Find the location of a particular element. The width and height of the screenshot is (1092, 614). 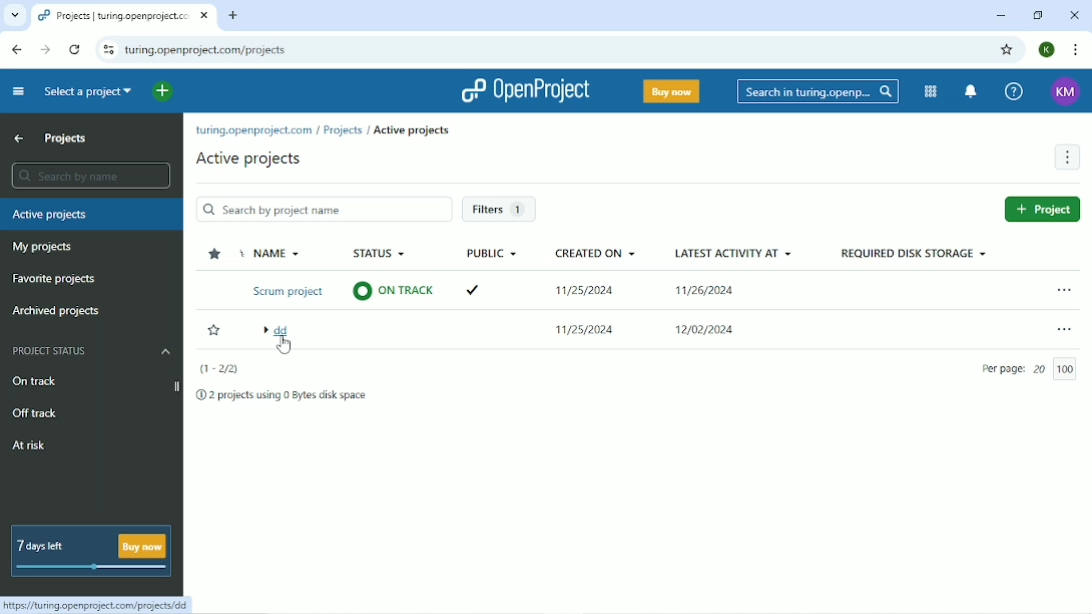

More is located at coordinates (1067, 157).